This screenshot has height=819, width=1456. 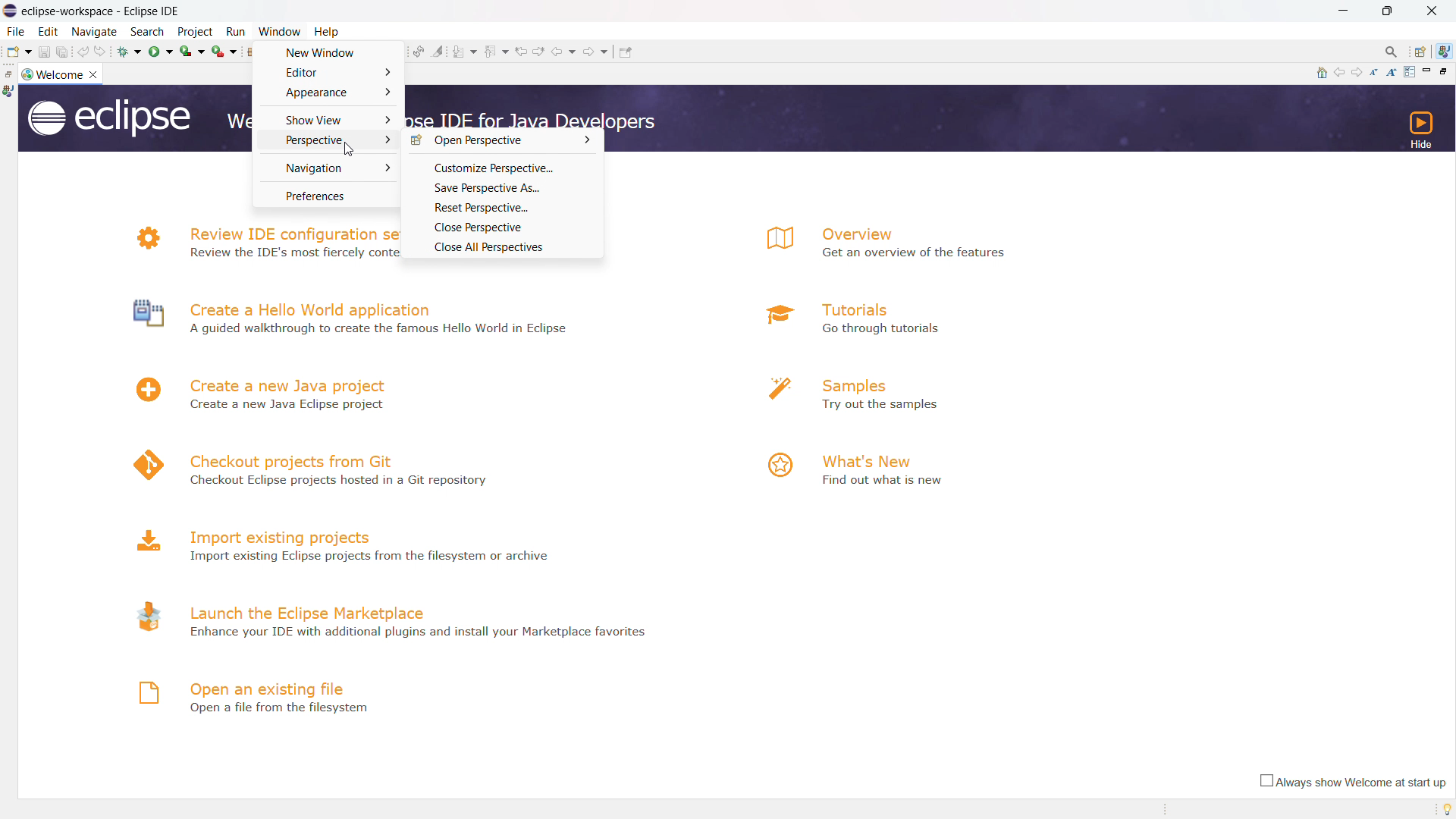 What do you see at coordinates (1341, 11) in the screenshot?
I see `minimize` at bounding box center [1341, 11].